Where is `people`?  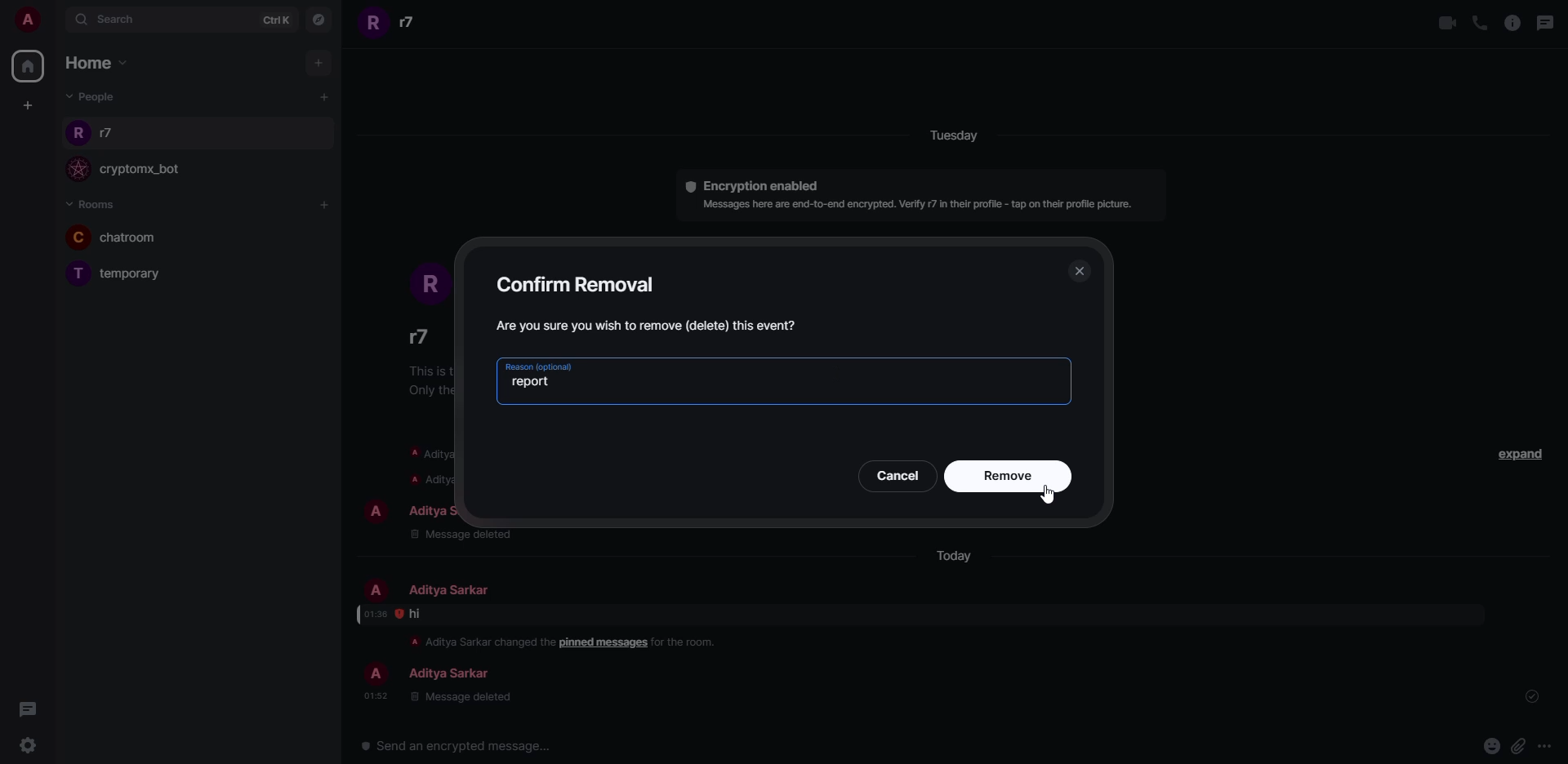
people is located at coordinates (448, 675).